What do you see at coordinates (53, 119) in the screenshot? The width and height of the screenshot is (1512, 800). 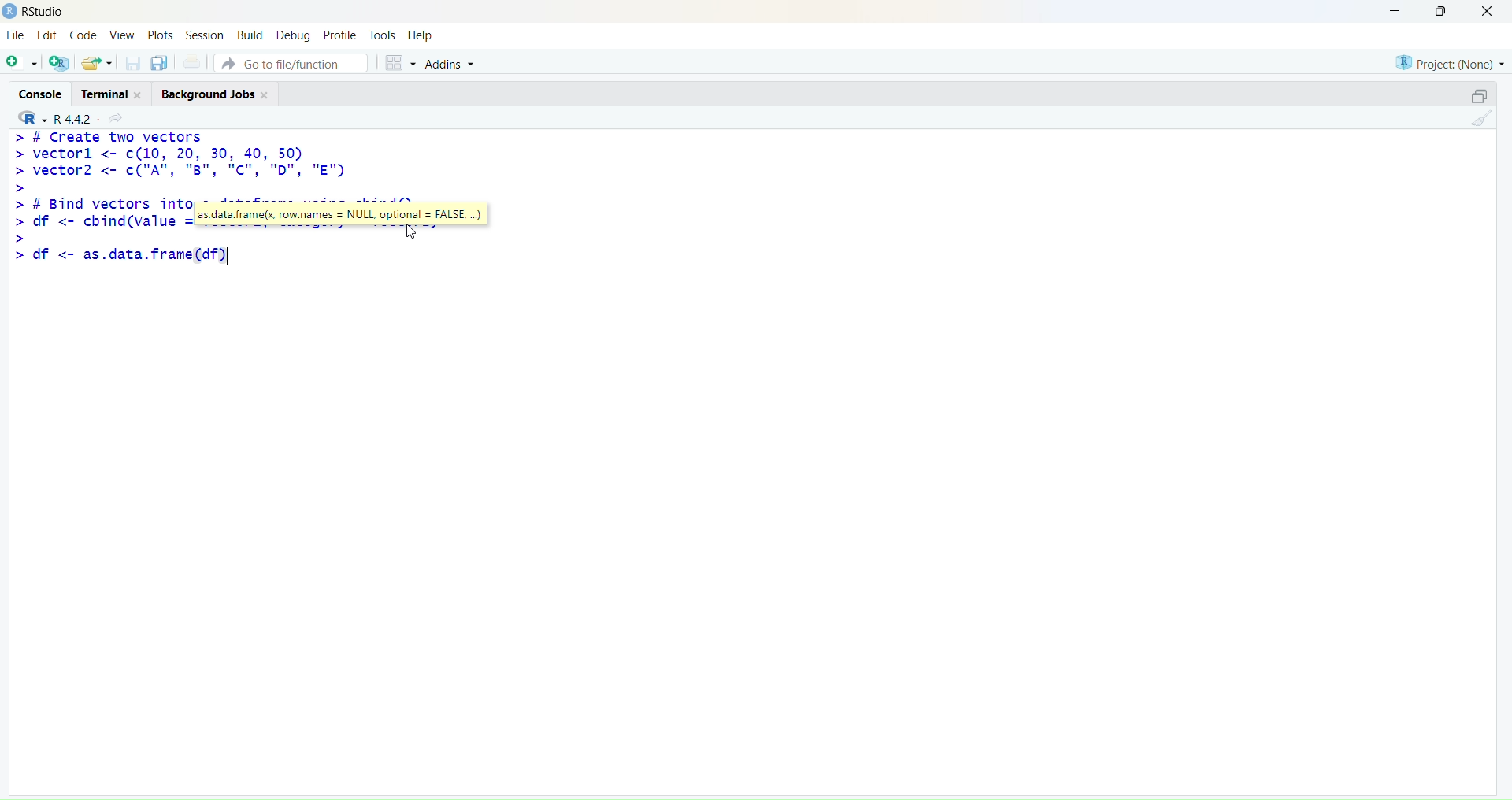 I see ` R 4.4.2` at bounding box center [53, 119].